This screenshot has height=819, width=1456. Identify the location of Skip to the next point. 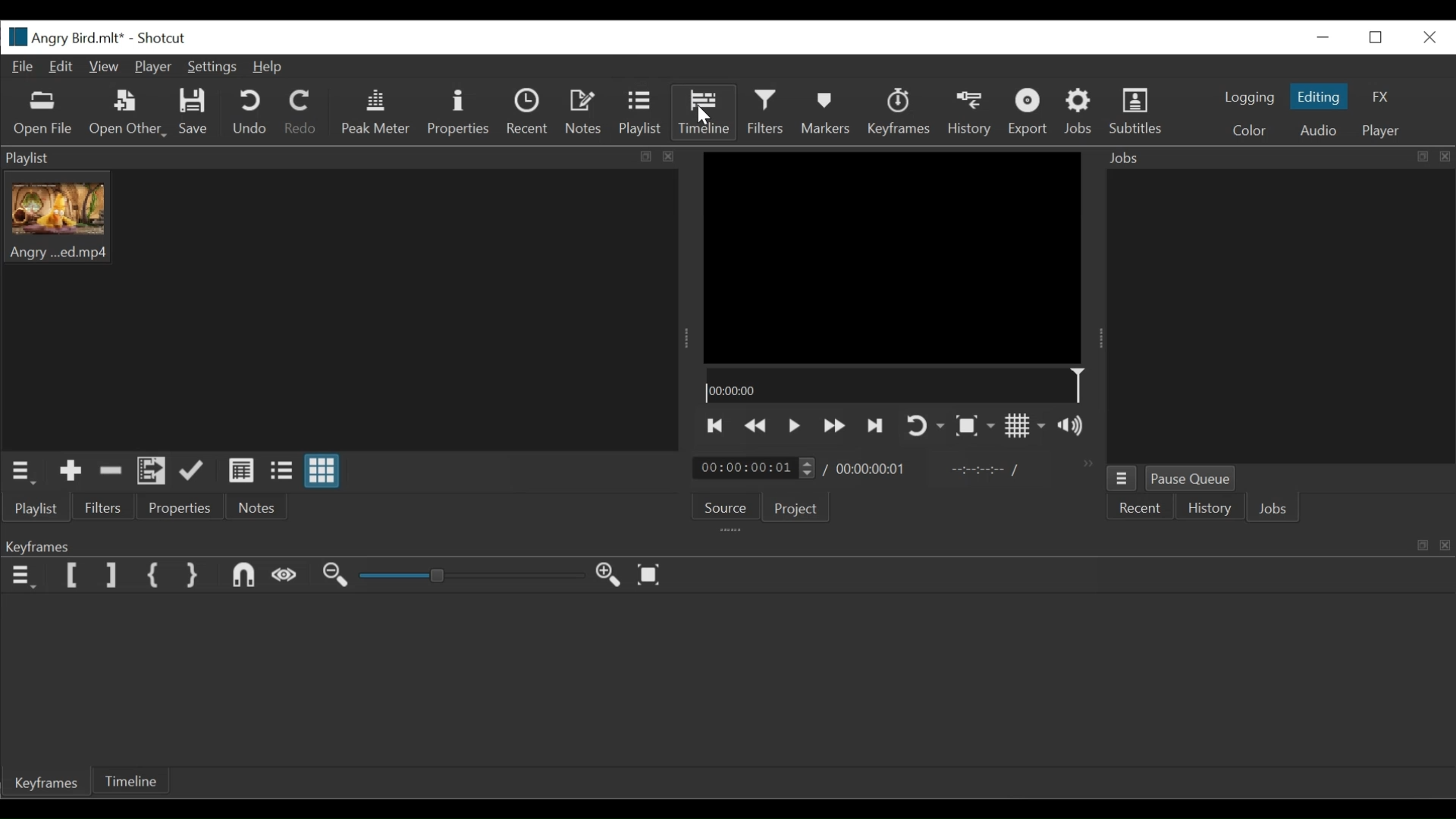
(876, 424).